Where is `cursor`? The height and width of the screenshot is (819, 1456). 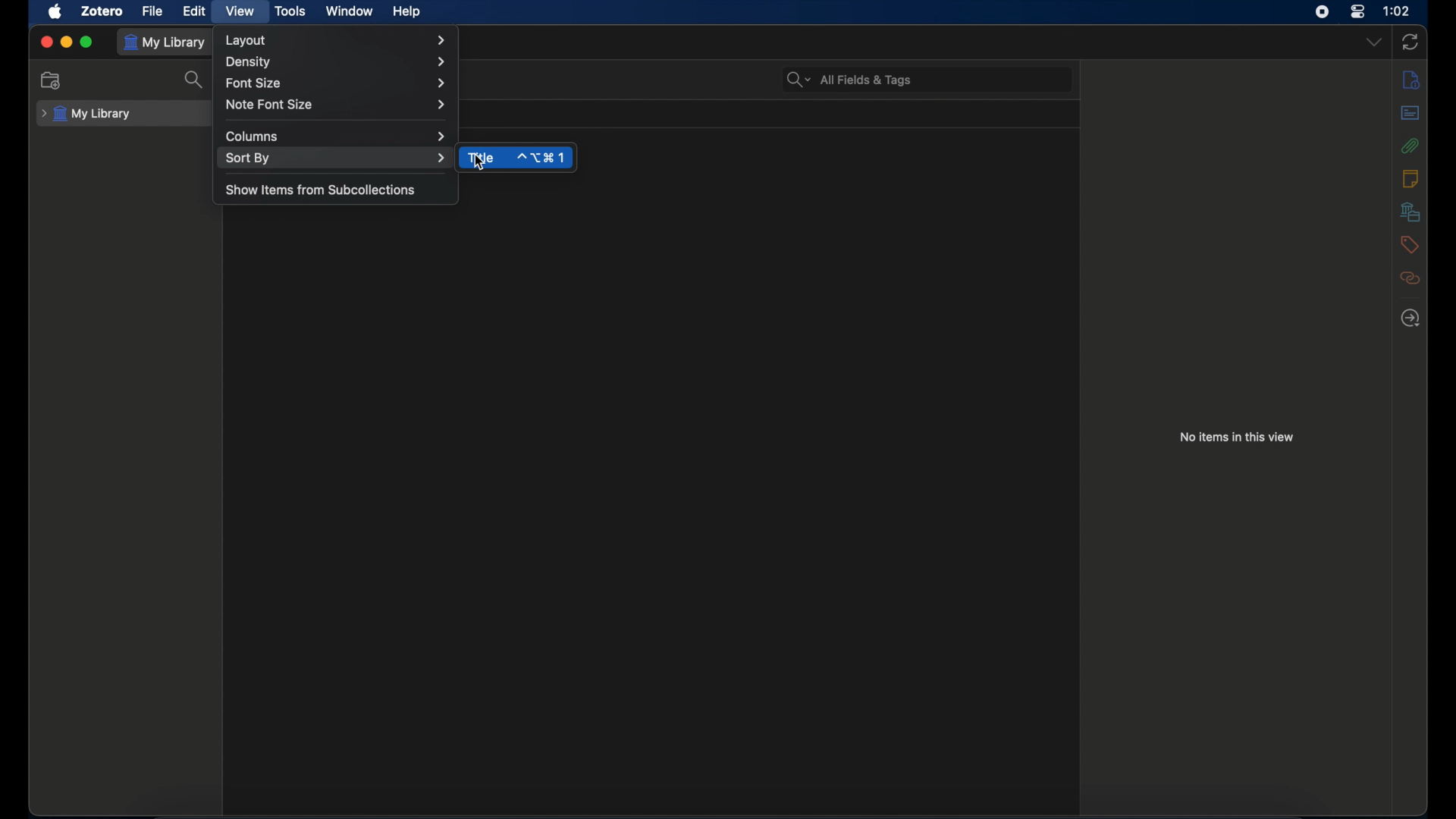
cursor is located at coordinates (479, 163).